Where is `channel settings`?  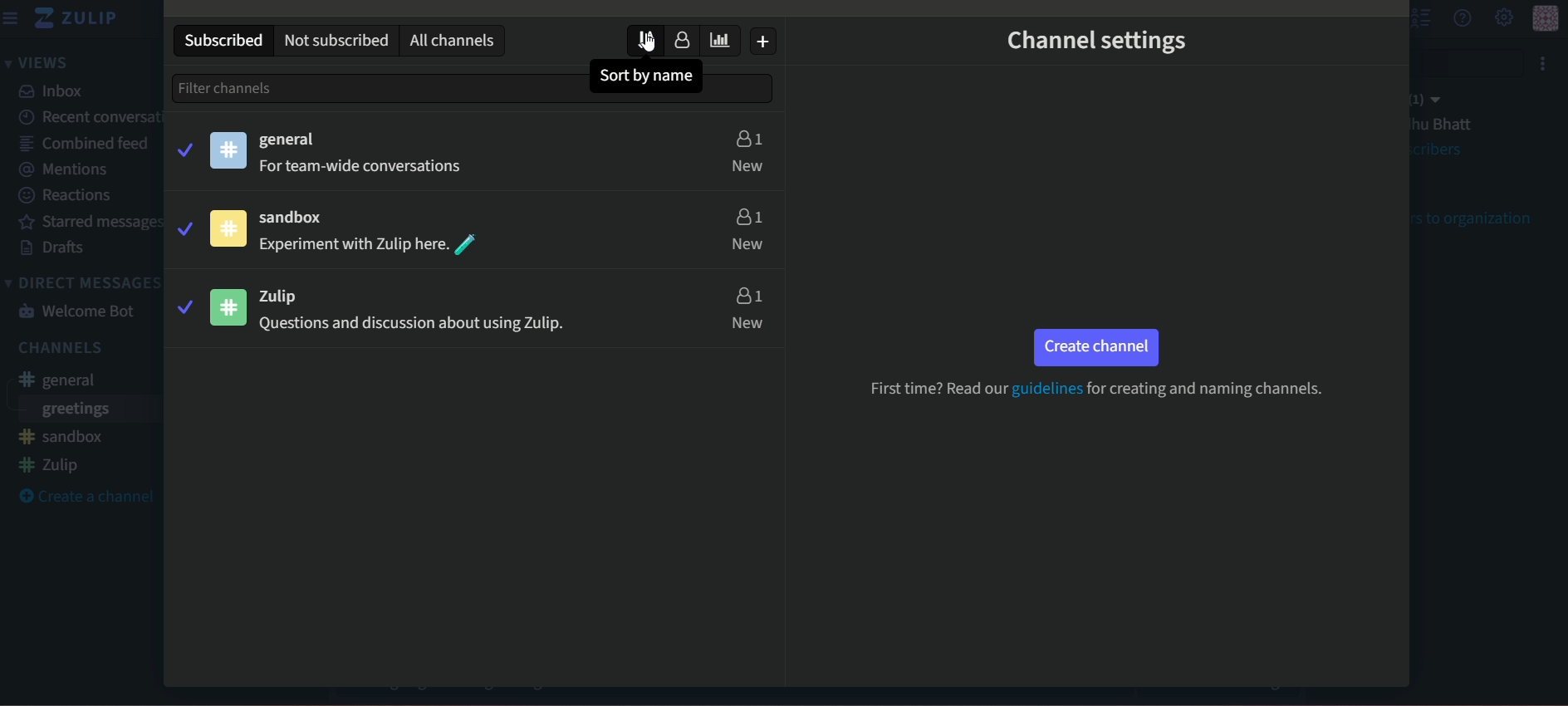 channel settings is located at coordinates (1097, 41).